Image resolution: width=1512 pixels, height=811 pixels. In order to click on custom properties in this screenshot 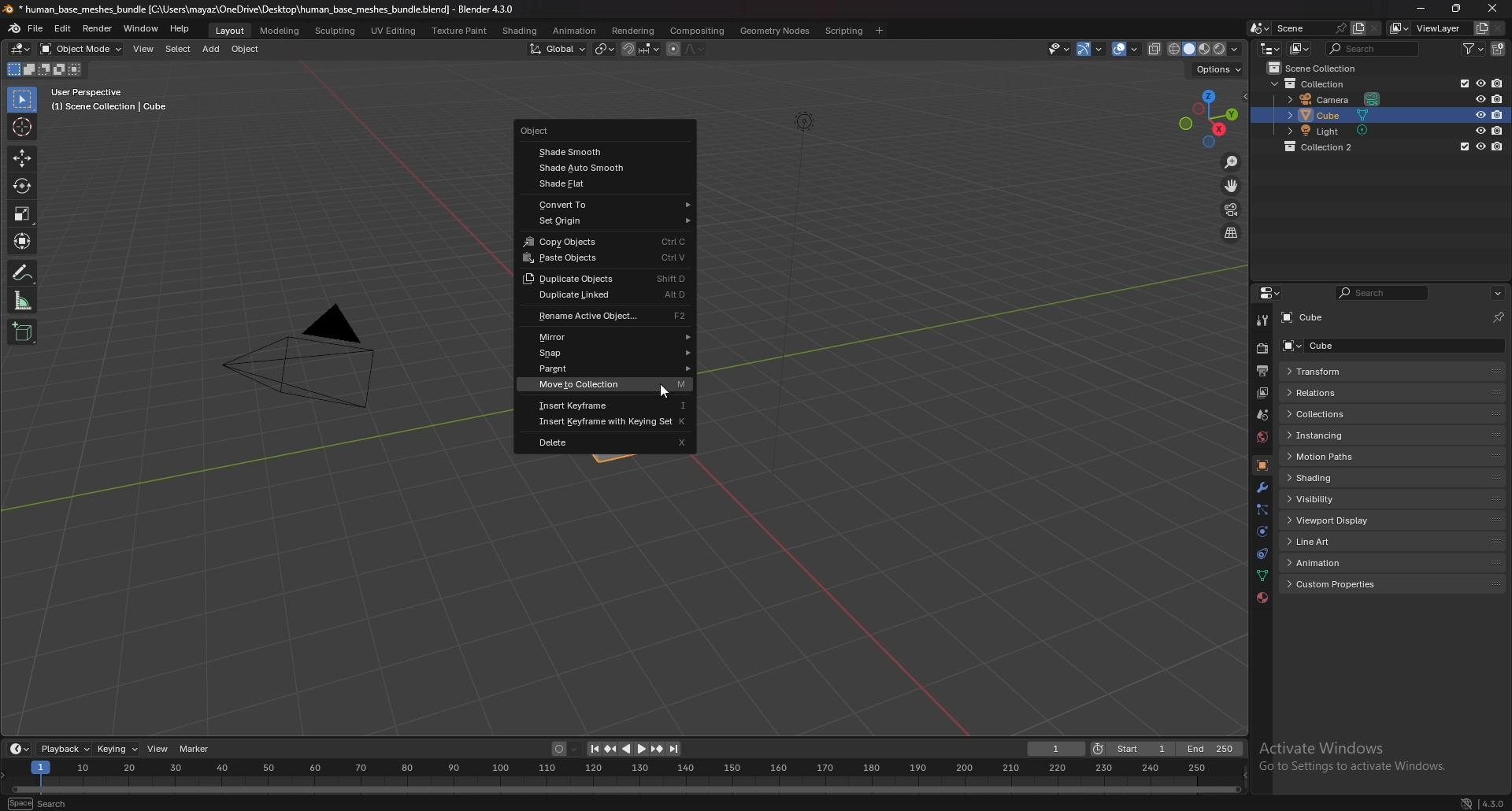, I will do `click(1345, 585)`.